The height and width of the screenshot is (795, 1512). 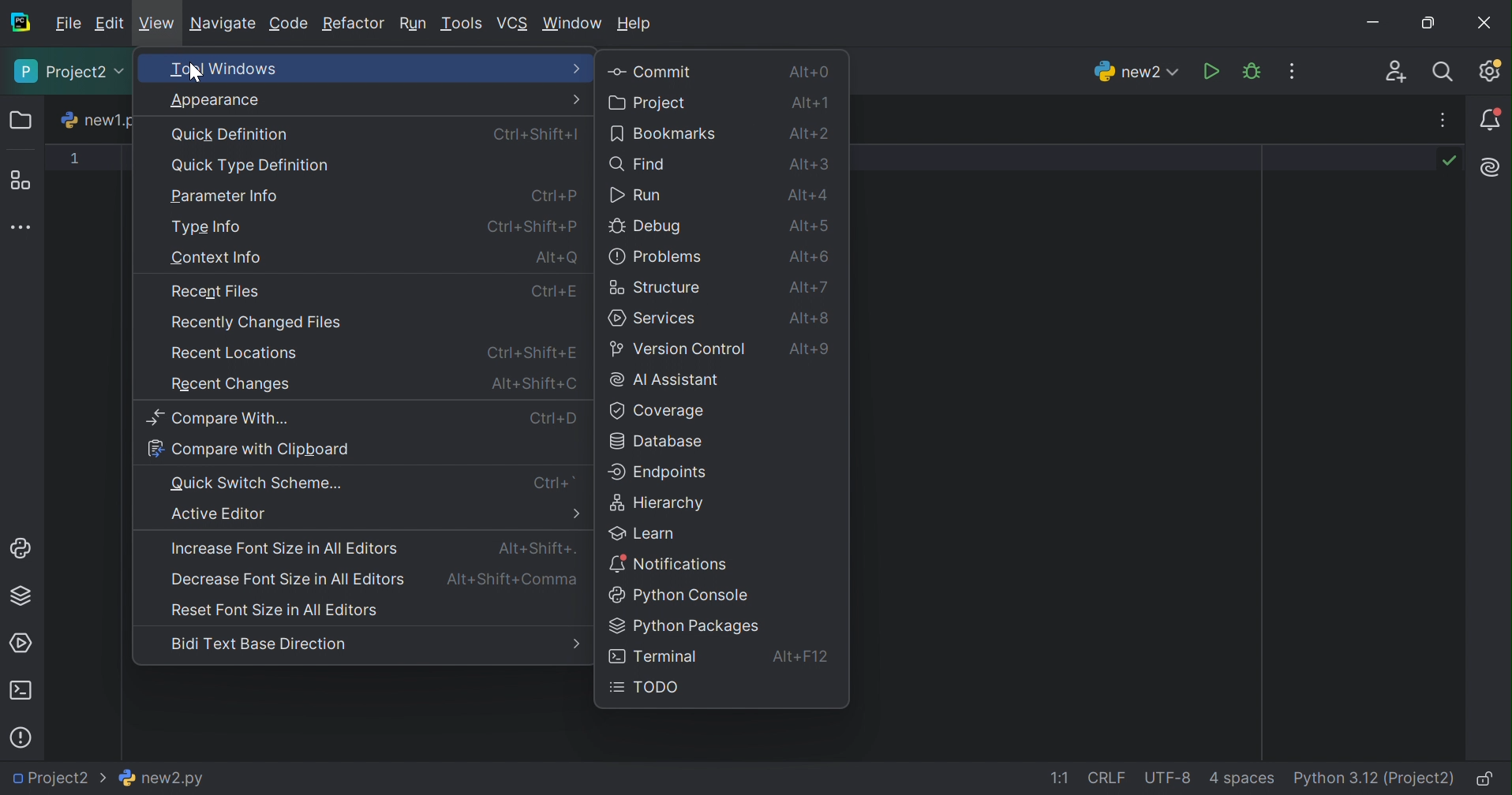 I want to click on Code with me, so click(x=1397, y=73).